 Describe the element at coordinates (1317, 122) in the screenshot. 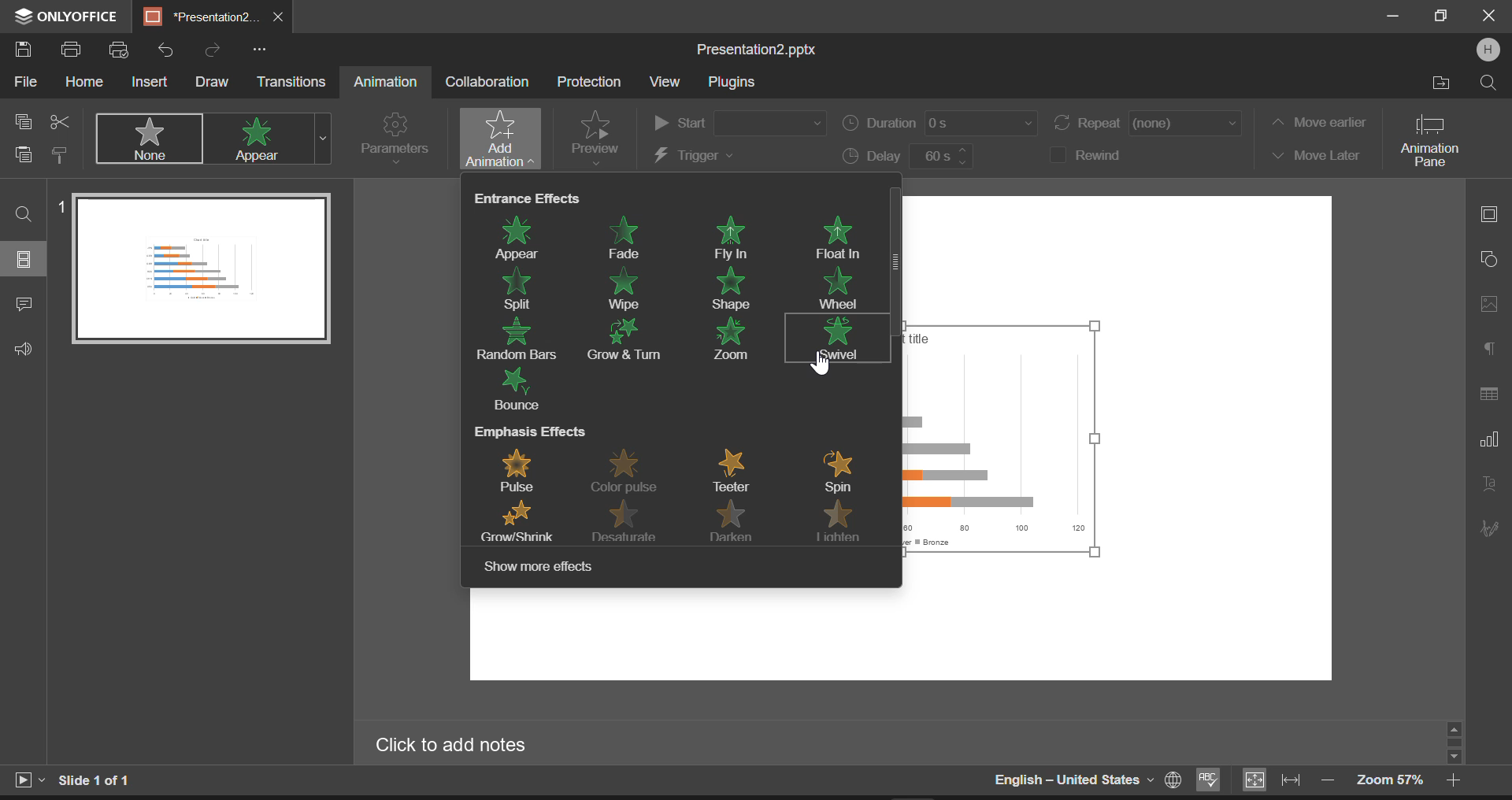

I see `Move earlier` at that location.